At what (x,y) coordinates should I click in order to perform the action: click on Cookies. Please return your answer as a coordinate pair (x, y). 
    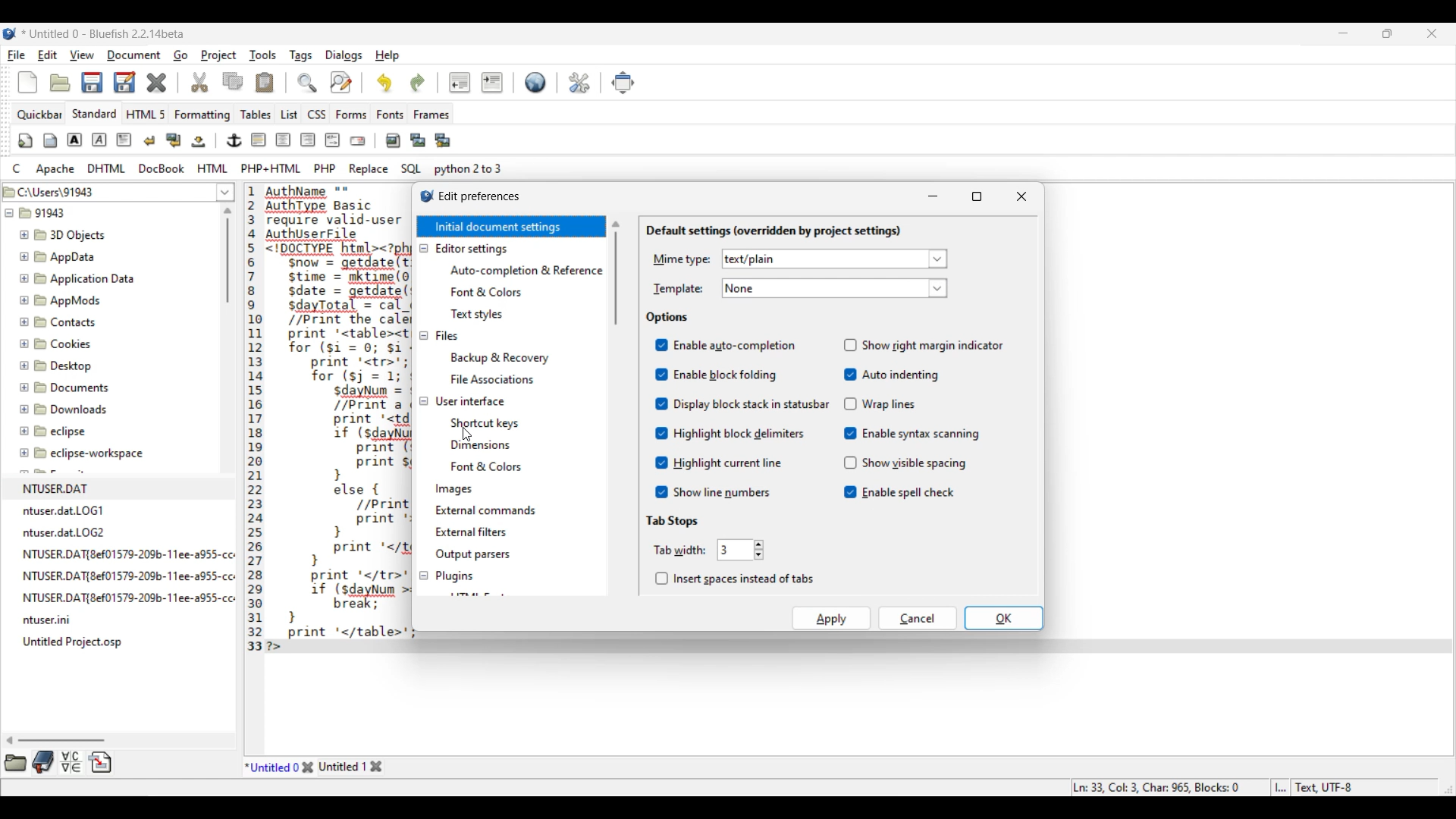
    Looking at the image, I should click on (71, 346).